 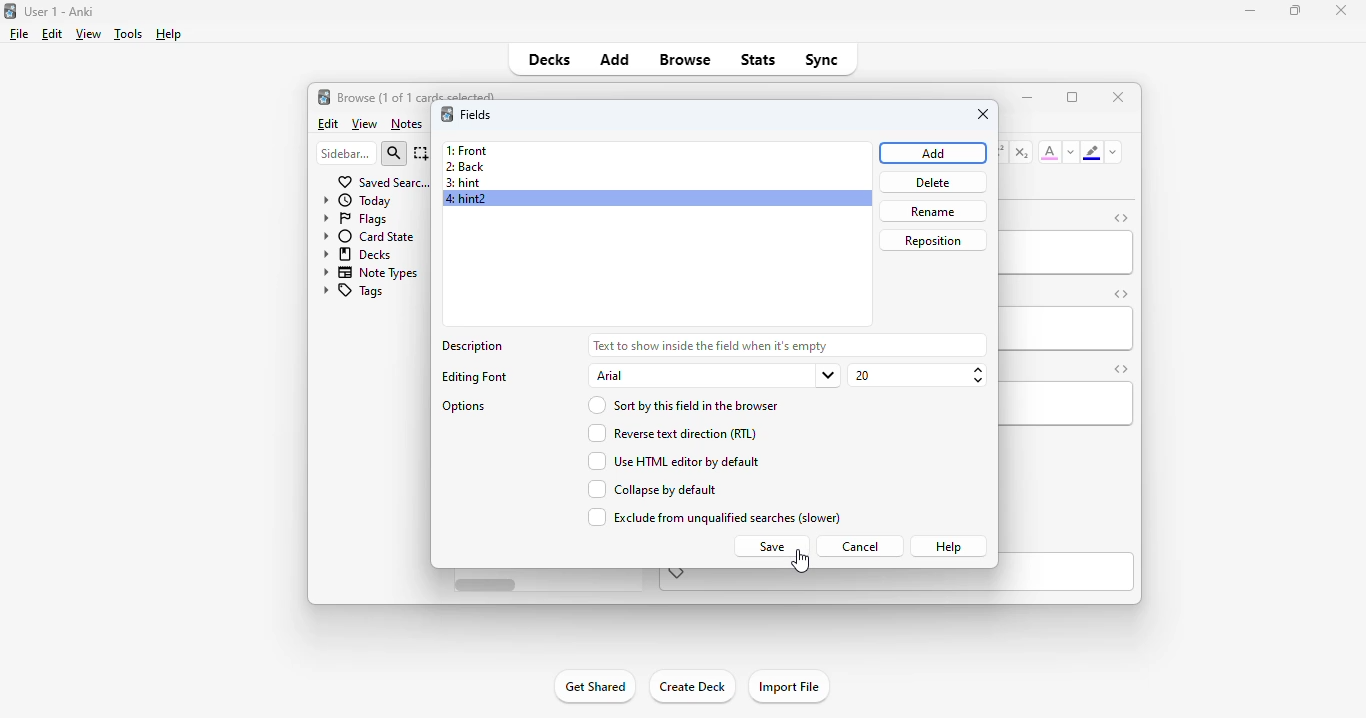 I want to click on logo, so click(x=9, y=10).